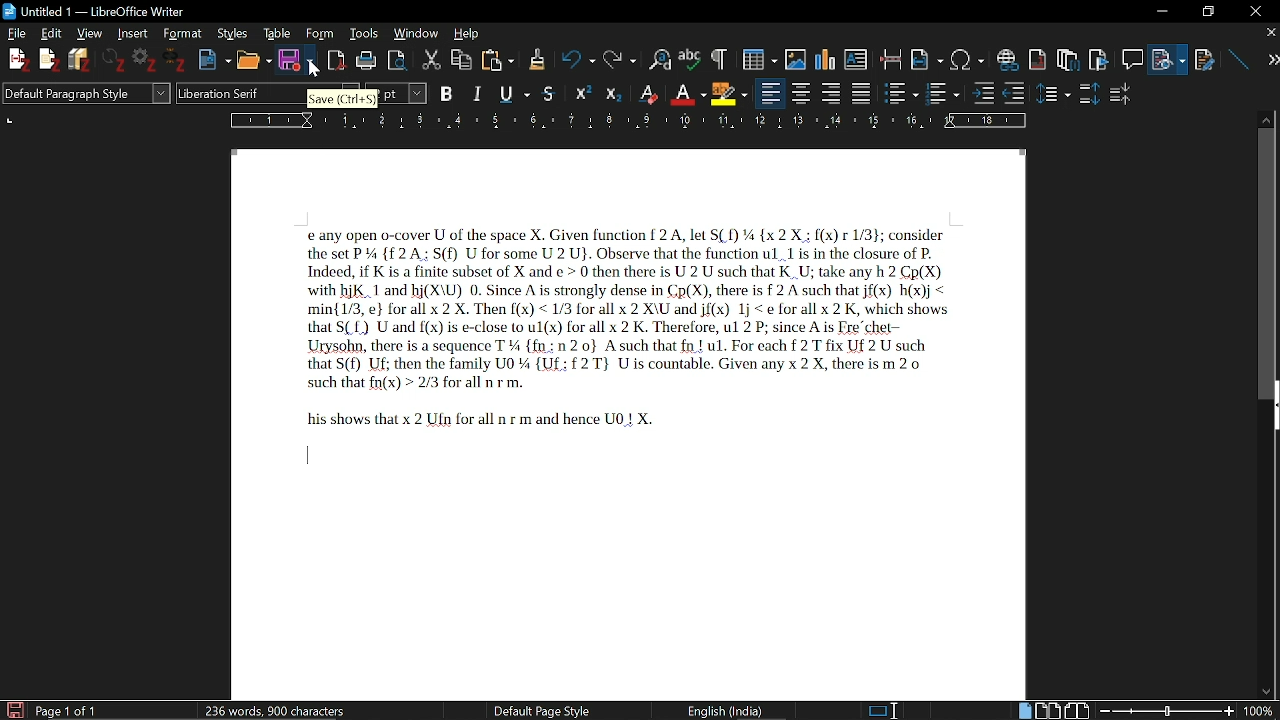 The image size is (1280, 720). What do you see at coordinates (833, 92) in the screenshot?
I see `Align right` at bounding box center [833, 92].